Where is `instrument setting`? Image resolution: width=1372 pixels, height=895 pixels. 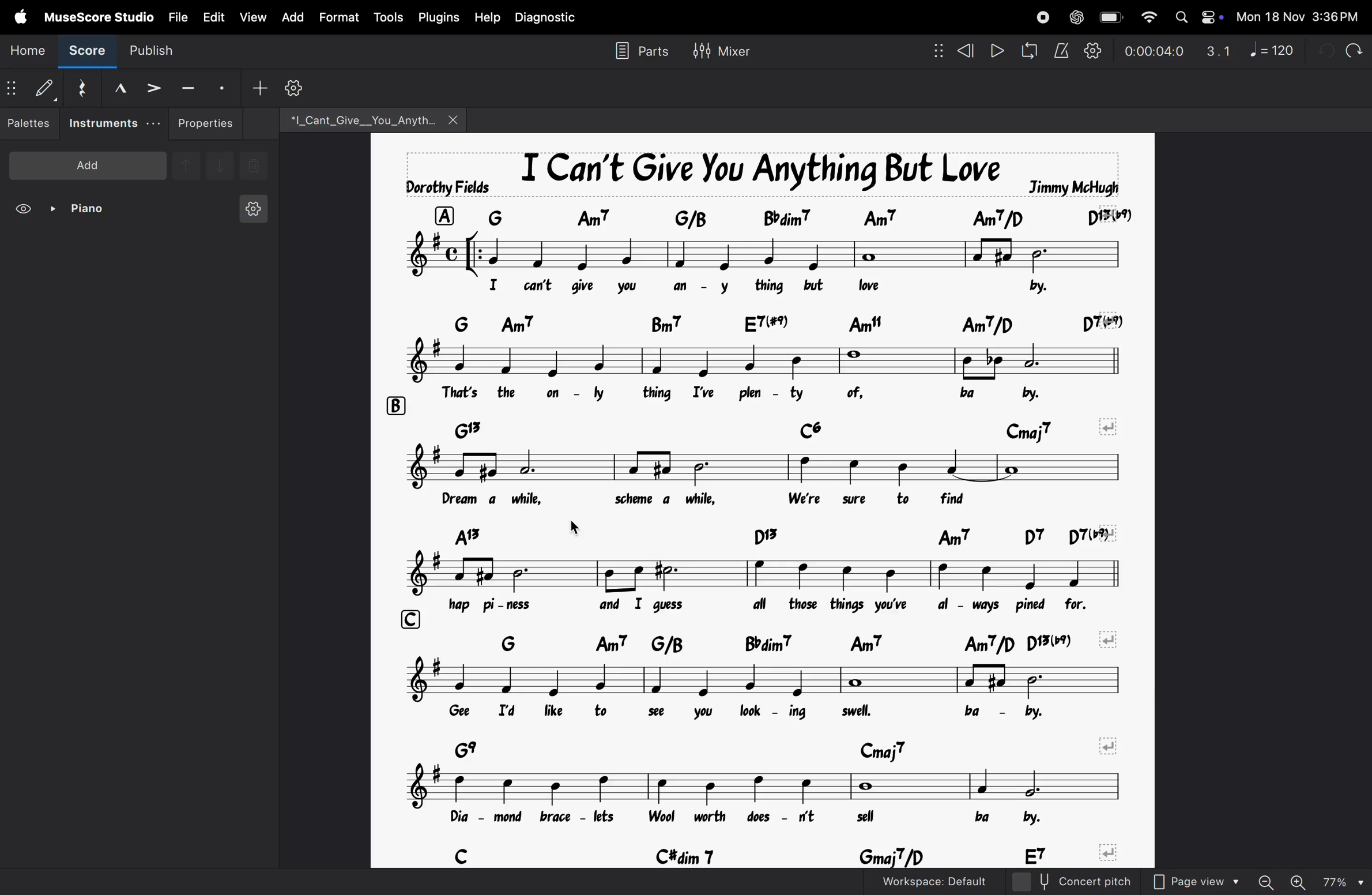 instrument setting is located at coordinates (252, 210).